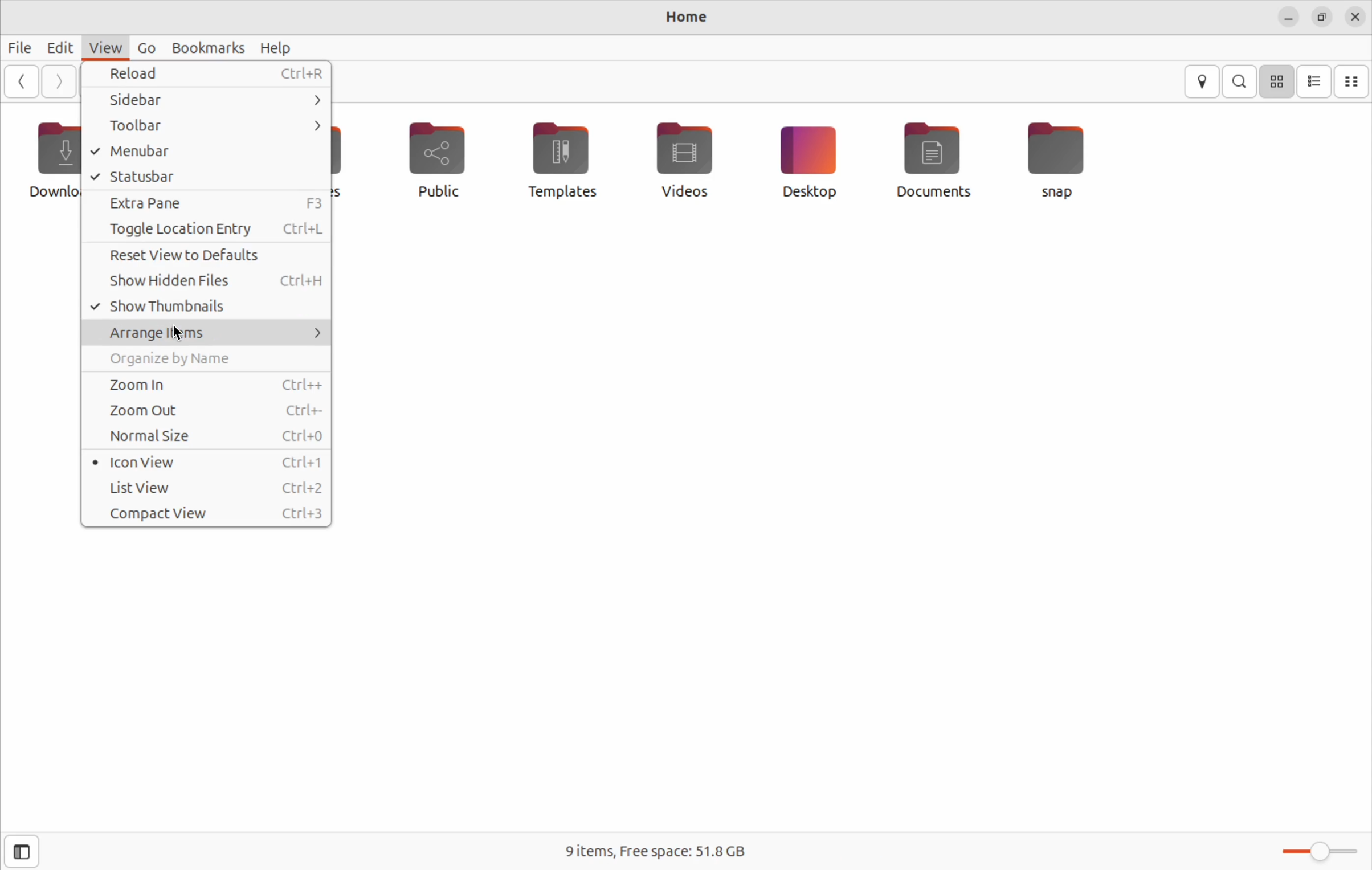 The width and height of the screenshot is (1372, 870). I want to click on Snap file, so click(1057, 157).